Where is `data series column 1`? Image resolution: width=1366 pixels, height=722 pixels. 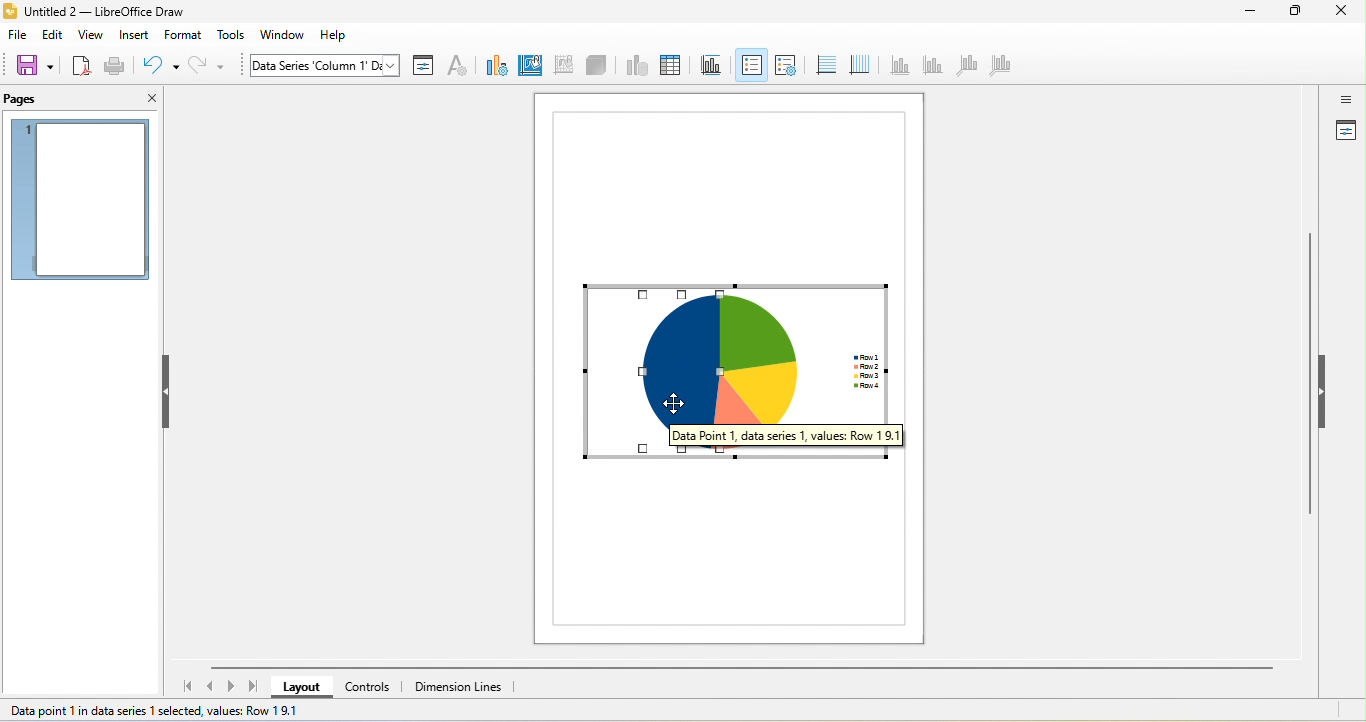
data series column 1 is located at coordinates (323, 65).